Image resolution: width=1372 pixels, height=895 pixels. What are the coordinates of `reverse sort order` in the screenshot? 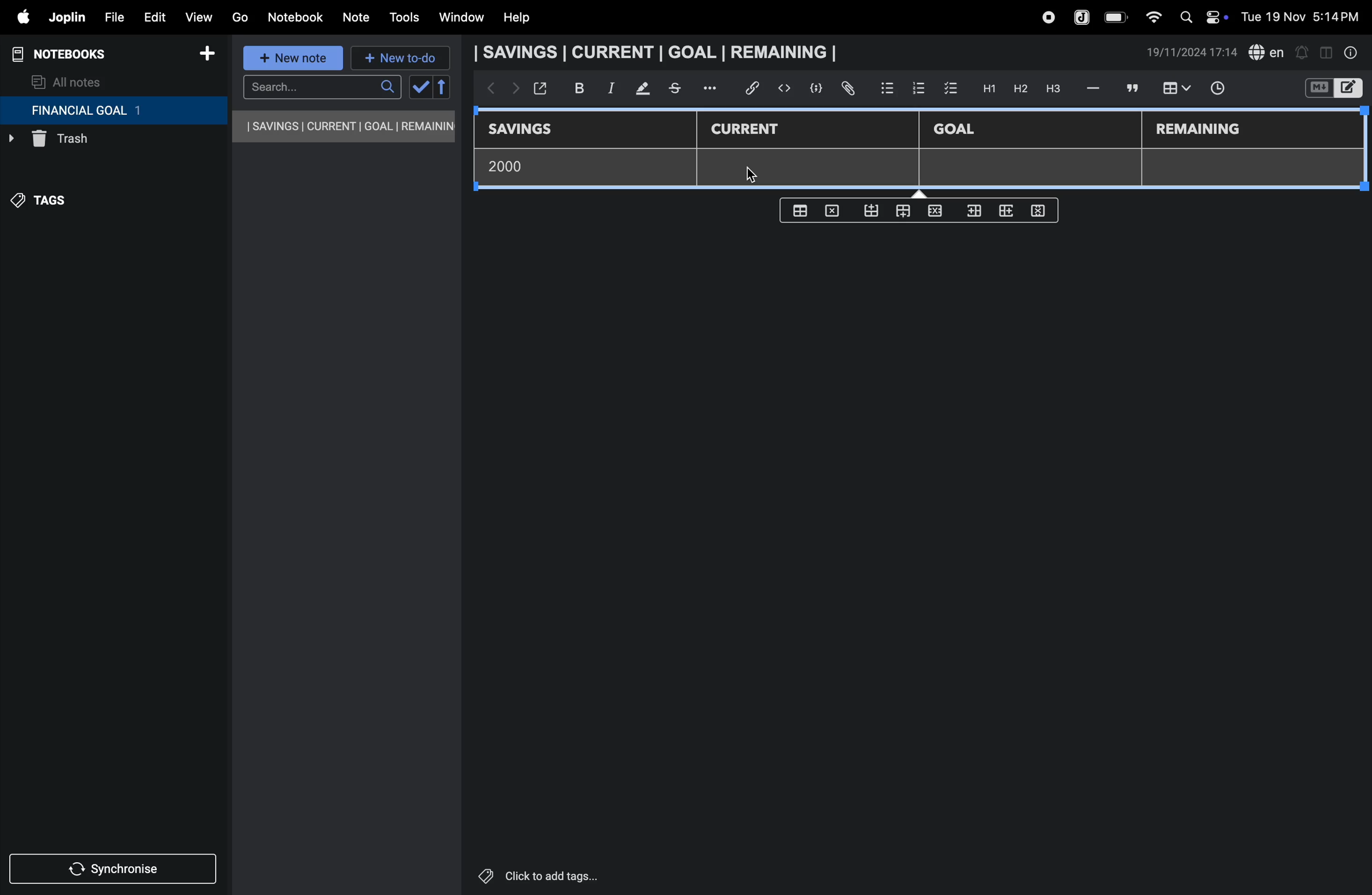 It's located at (443, 87).